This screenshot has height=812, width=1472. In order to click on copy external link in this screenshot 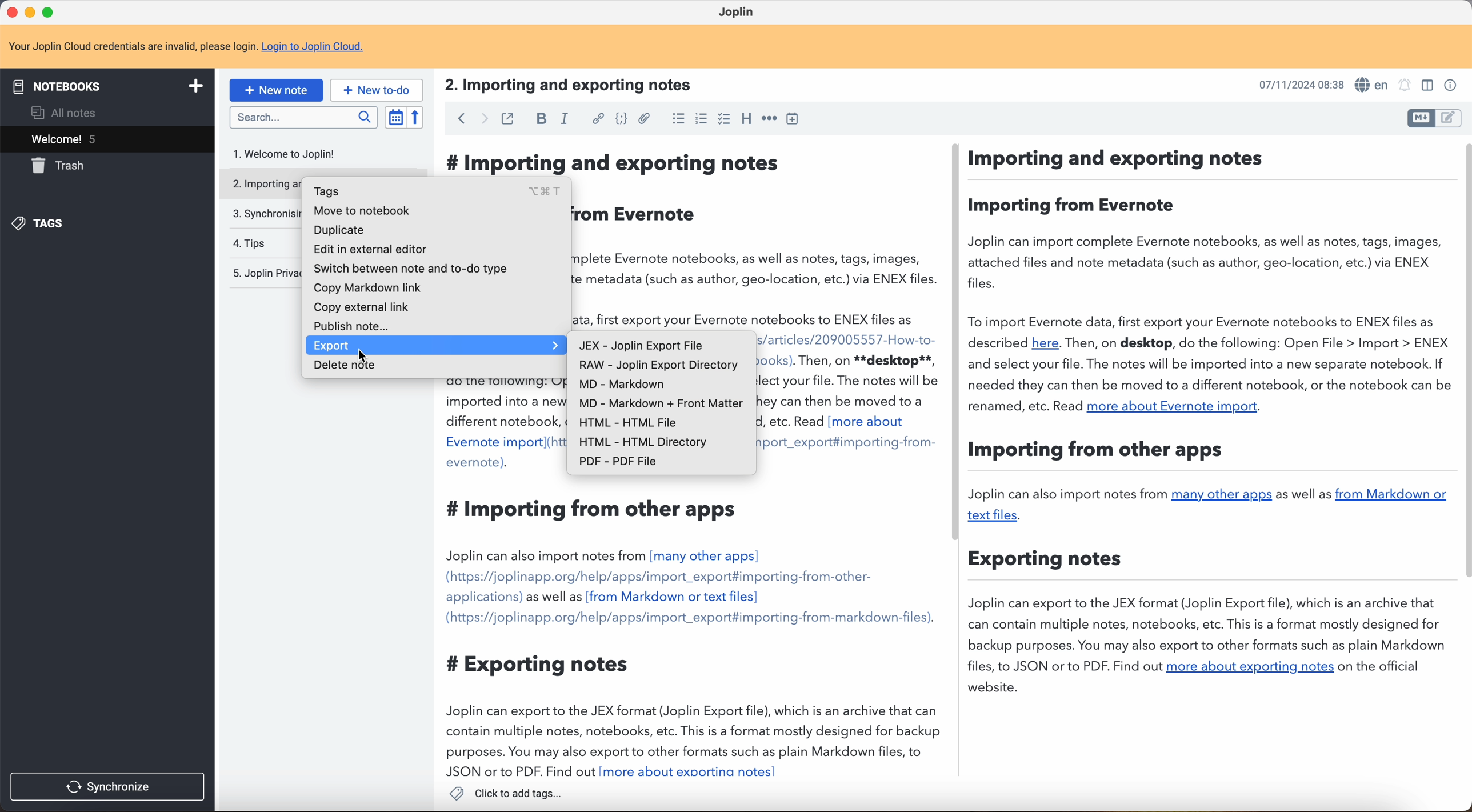, I will do `click(361, 306)`.